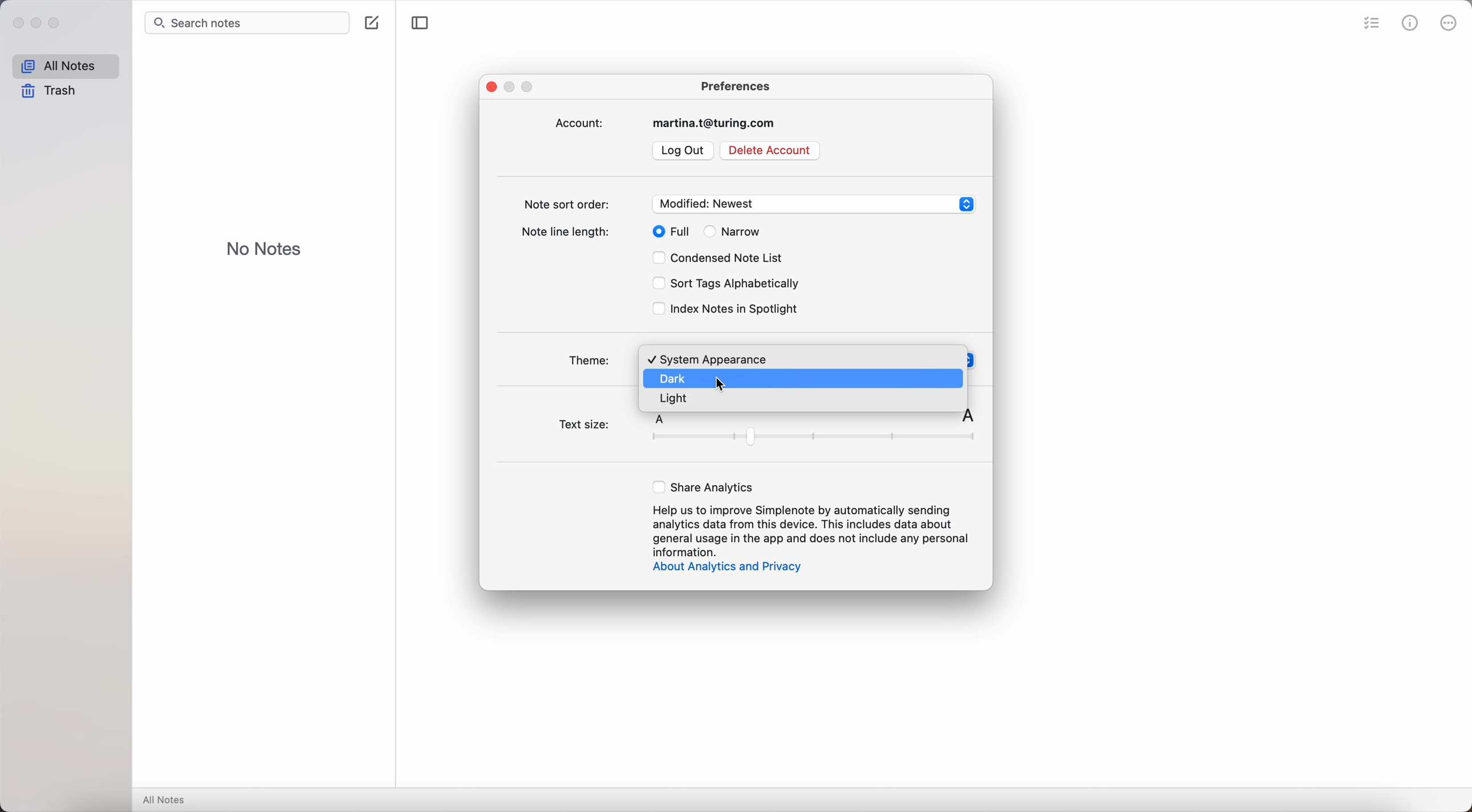  Describe the element at coordinates (418, 23) in the screenshot. I see `toggle sidebar` at that location.